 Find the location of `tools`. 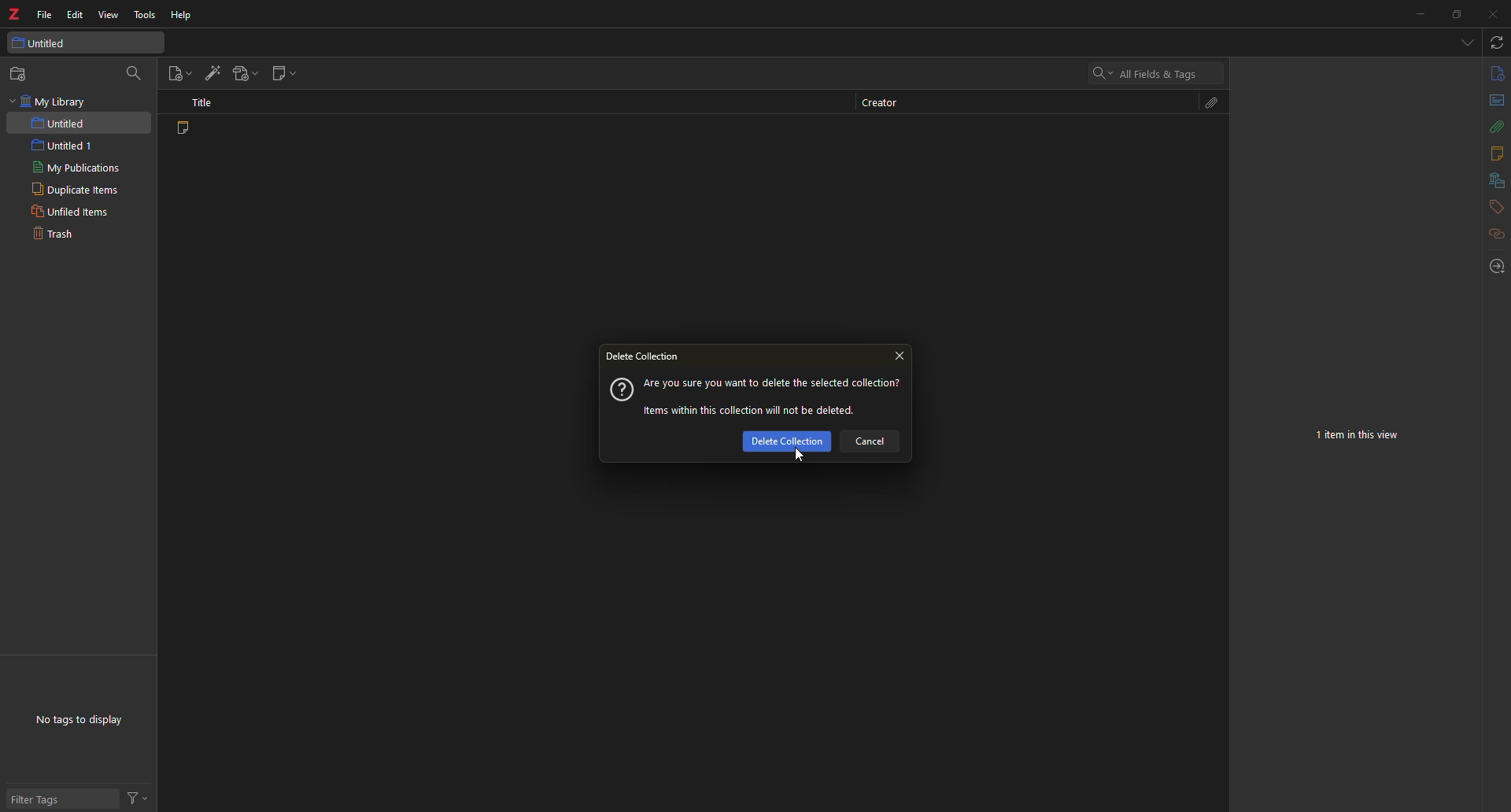

tools is located at coordinates (146, 16).